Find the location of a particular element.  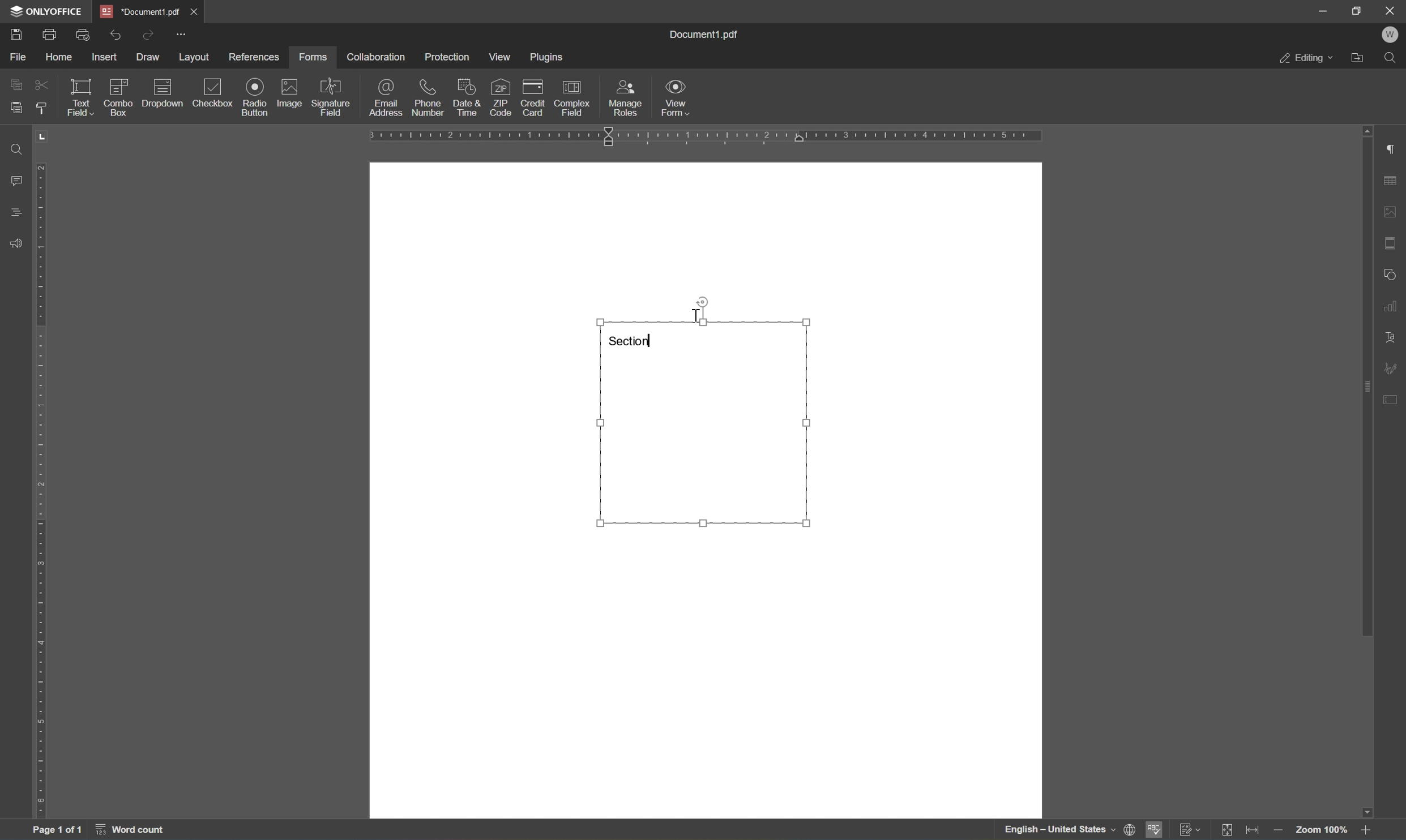

close is located at coordinates (195, 11).